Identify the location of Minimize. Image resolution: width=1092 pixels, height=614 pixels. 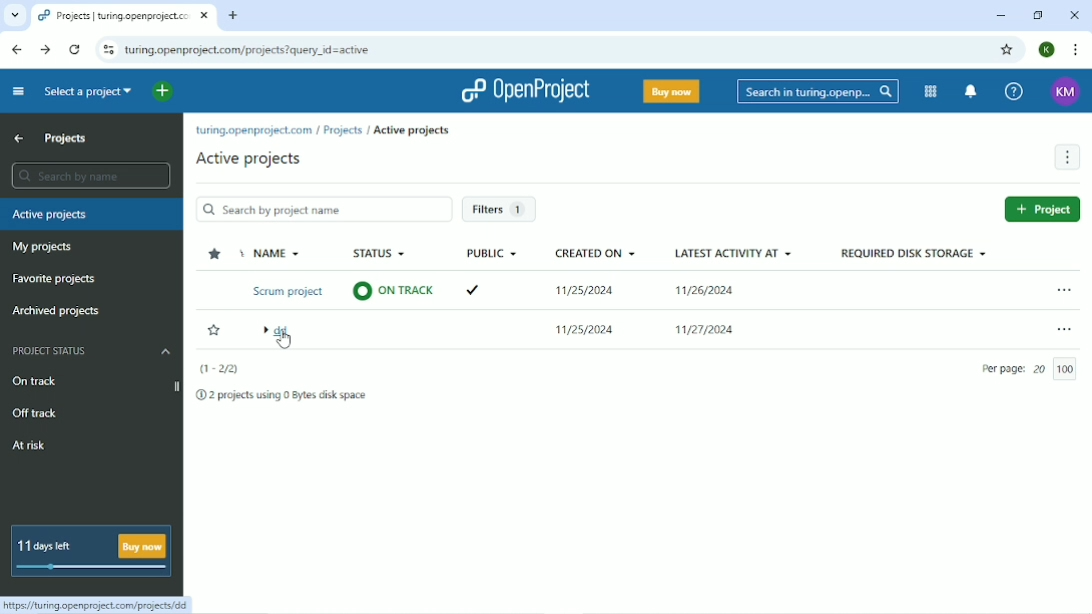
(999, 17).